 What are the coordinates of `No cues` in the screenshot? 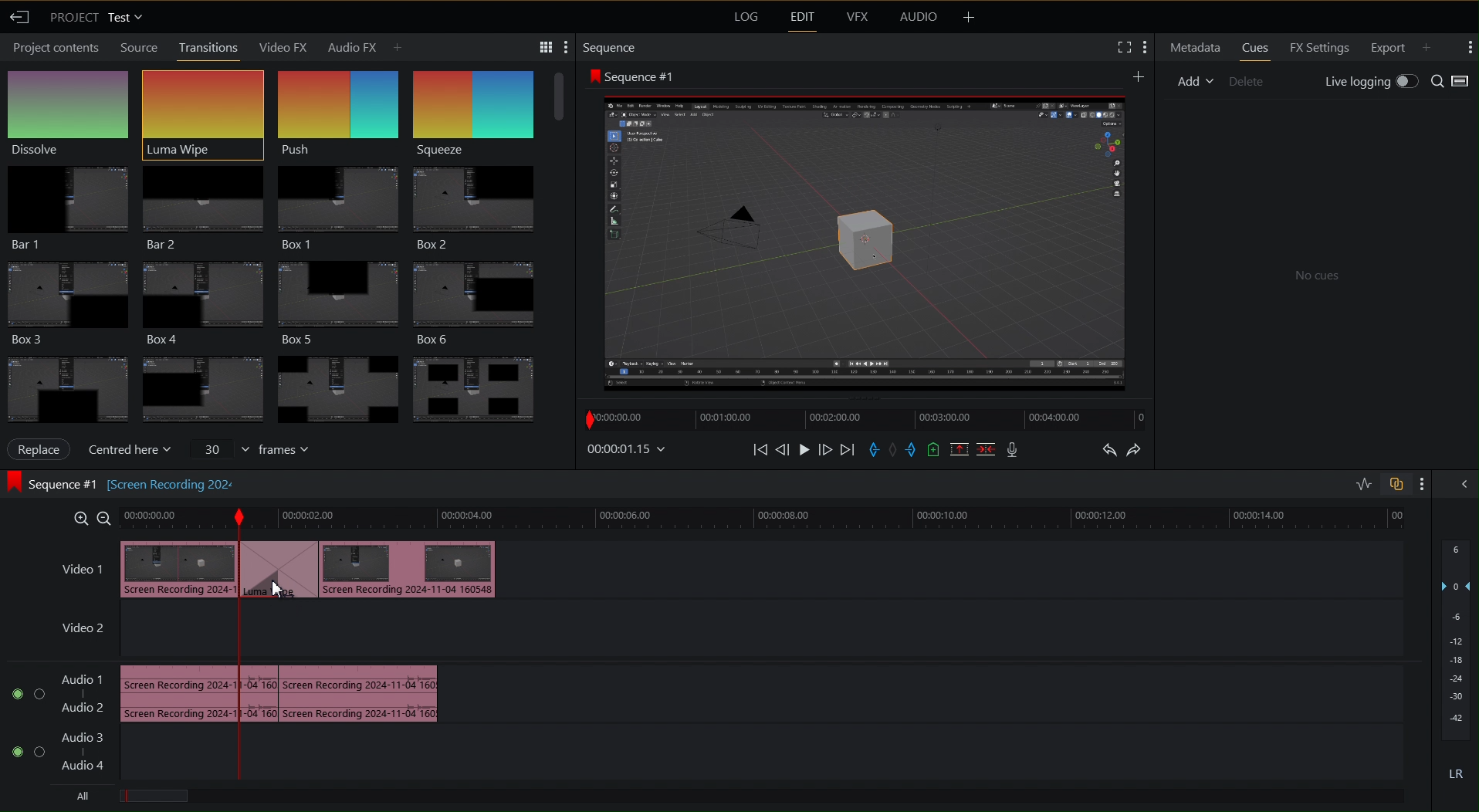 It's located at (1314, 273).